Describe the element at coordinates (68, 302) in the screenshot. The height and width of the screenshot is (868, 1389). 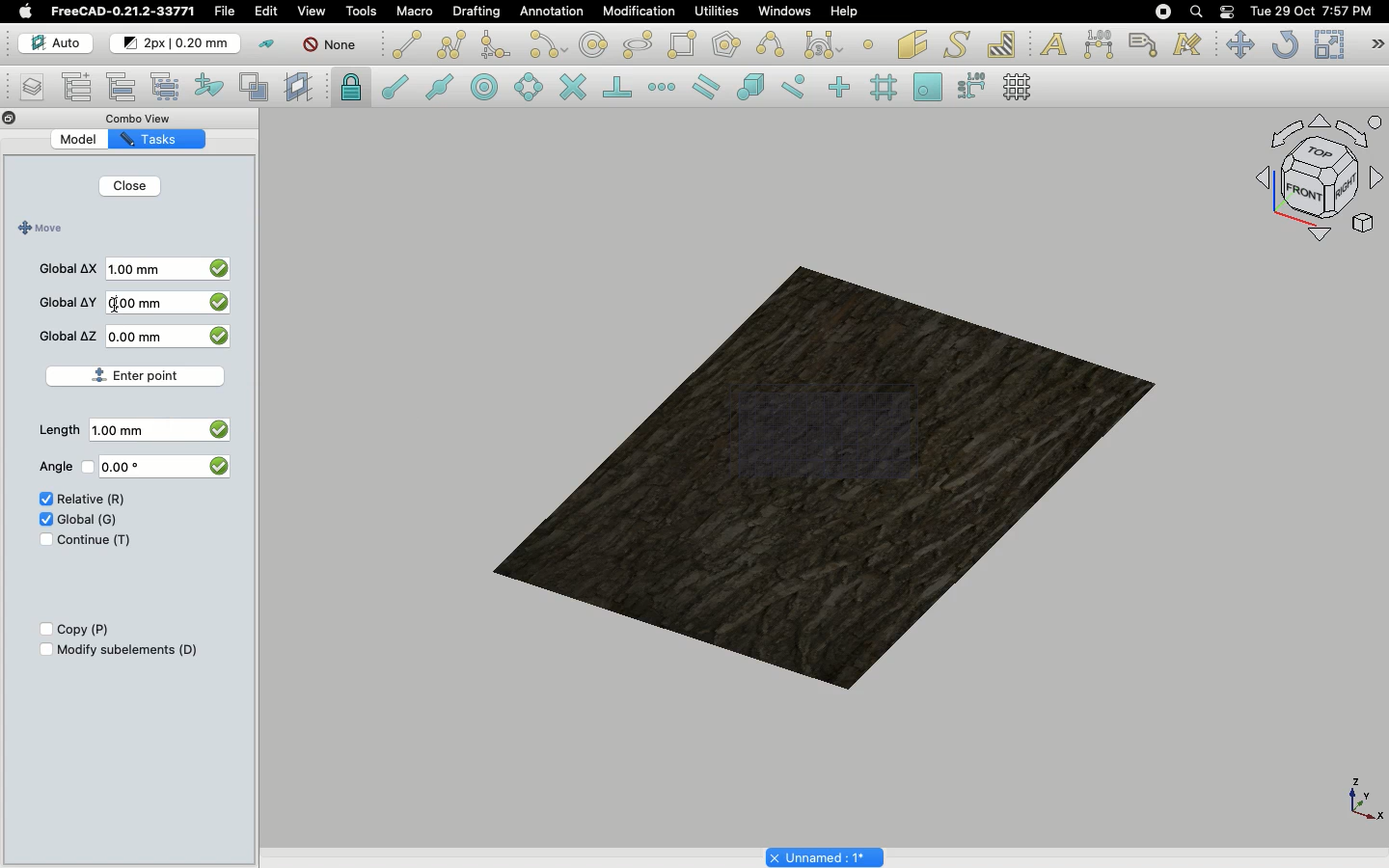
I see `Global Y` at that location.